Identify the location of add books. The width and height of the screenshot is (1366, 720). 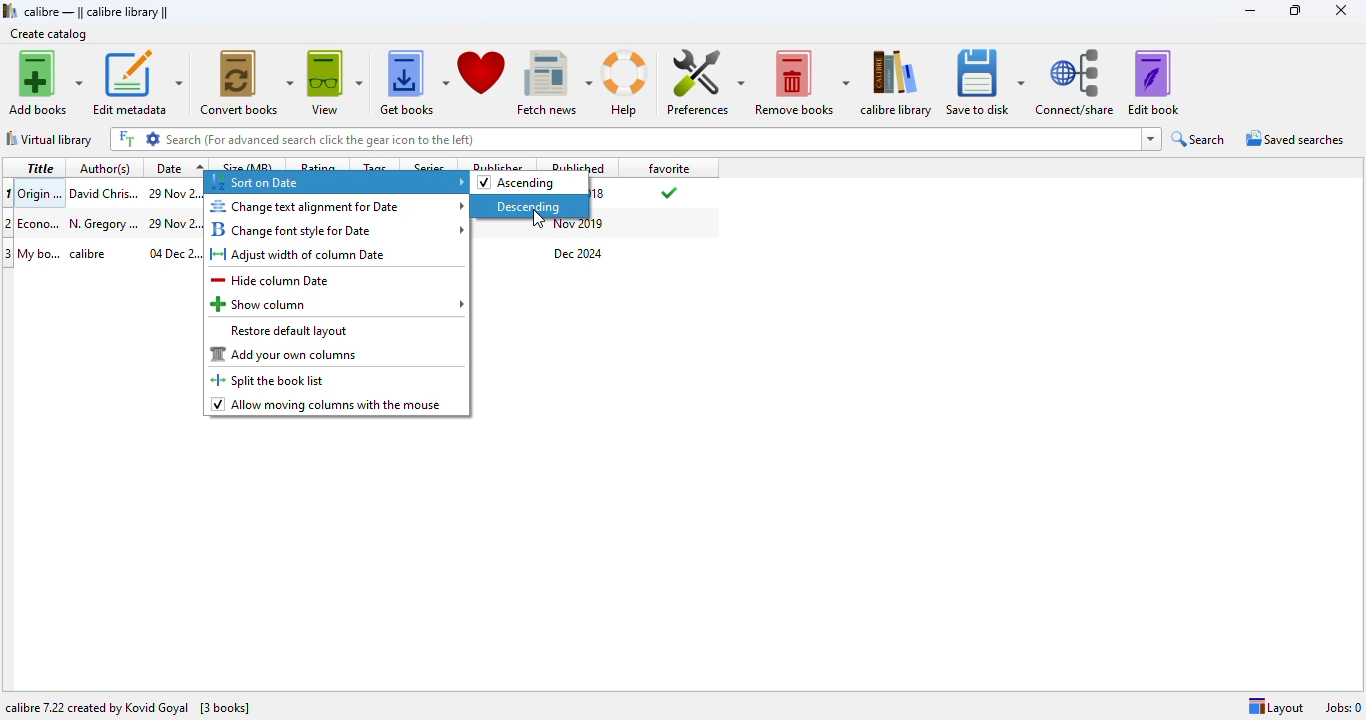
(47, 83).